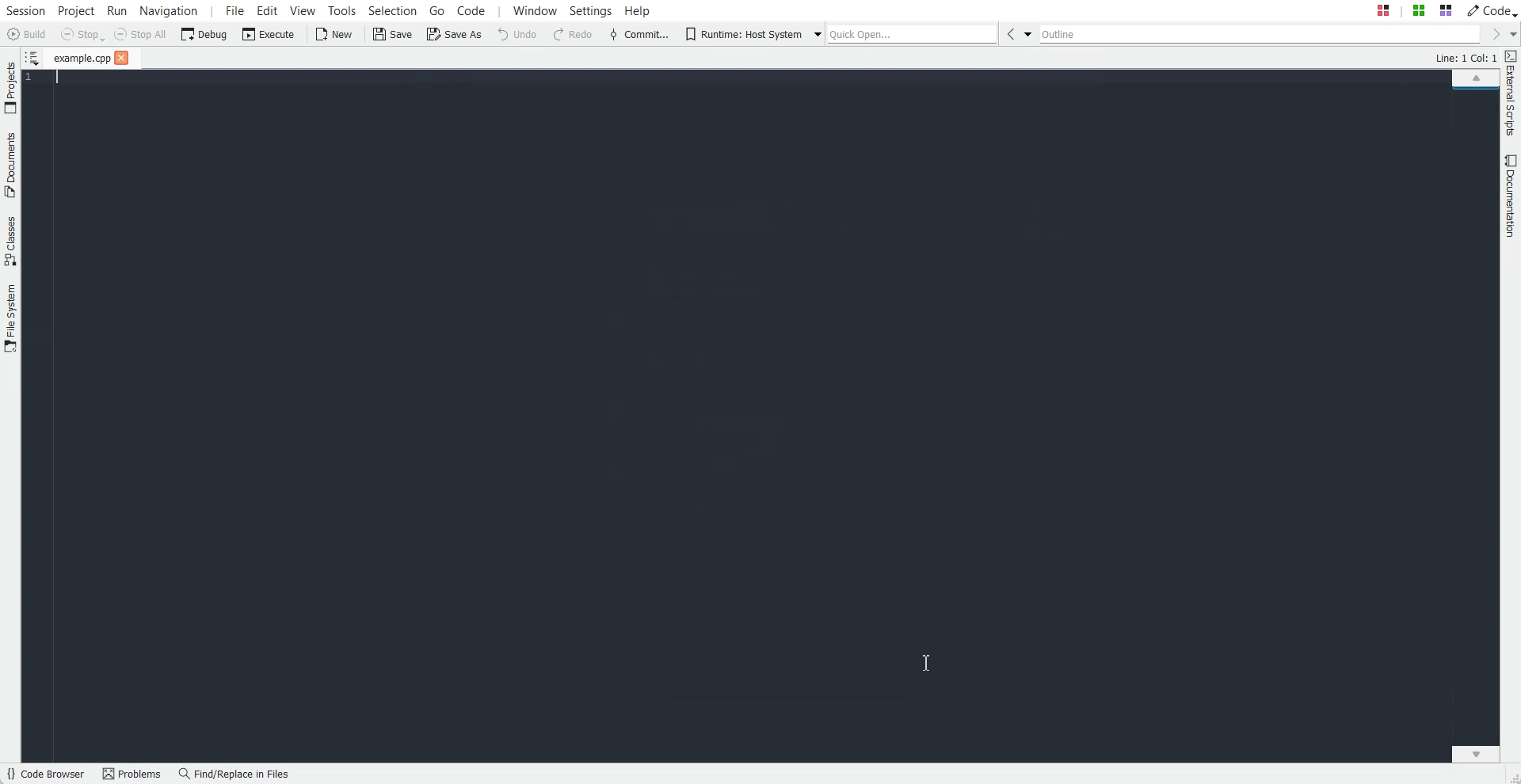 Image resolution: width=1521 pixels, height=784 pixels. Describe the element at coordinates (1027, 33) in the screenshot. I see `Drop down box` at that location.